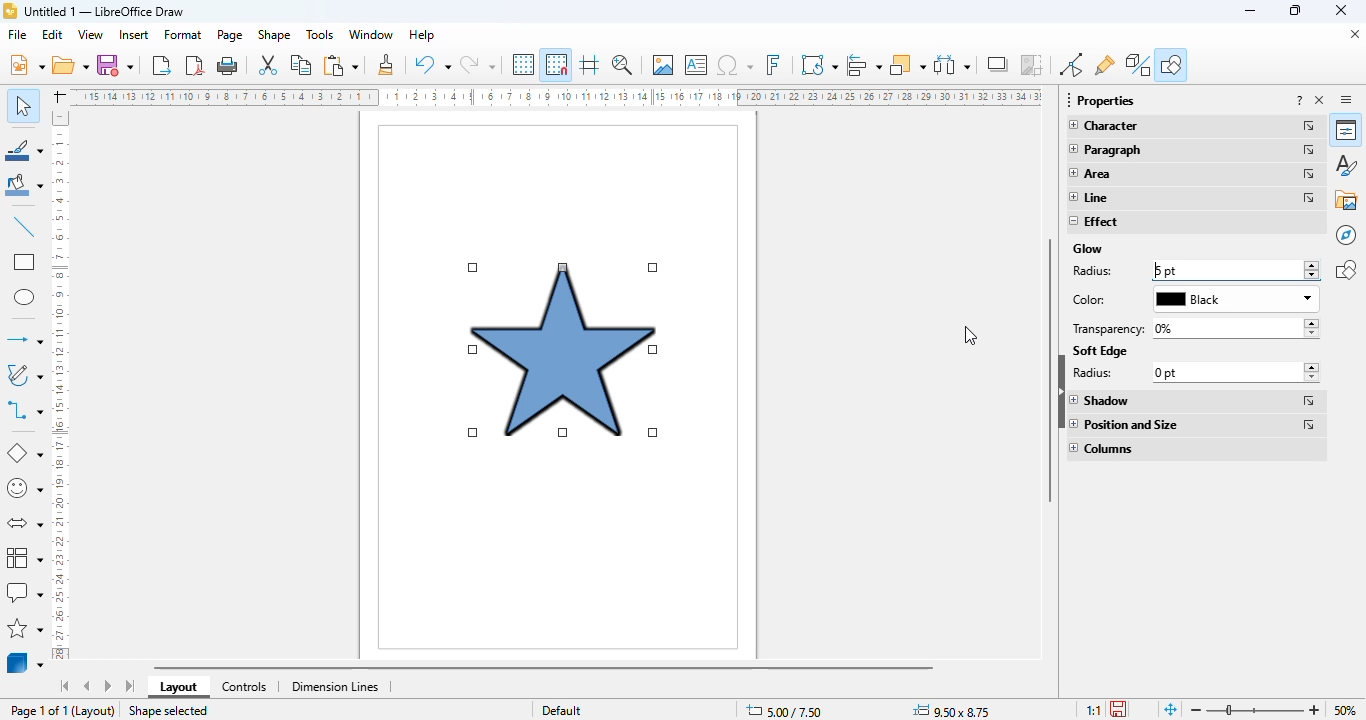  What do you see at coordinates (1127, 424) in the screenshot?
I see `position and size` at bounding box center [1127, 424].